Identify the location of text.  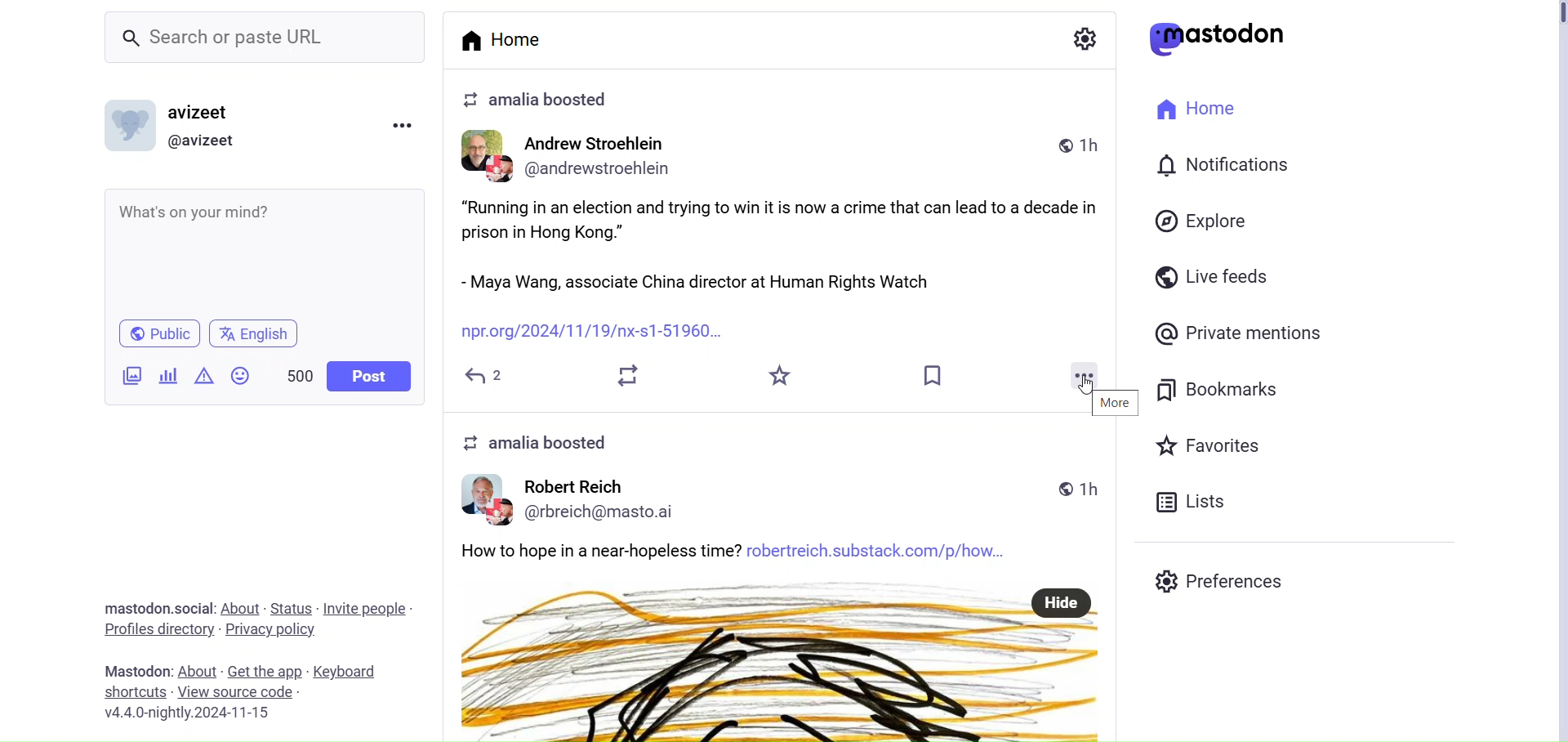
(599, 550).